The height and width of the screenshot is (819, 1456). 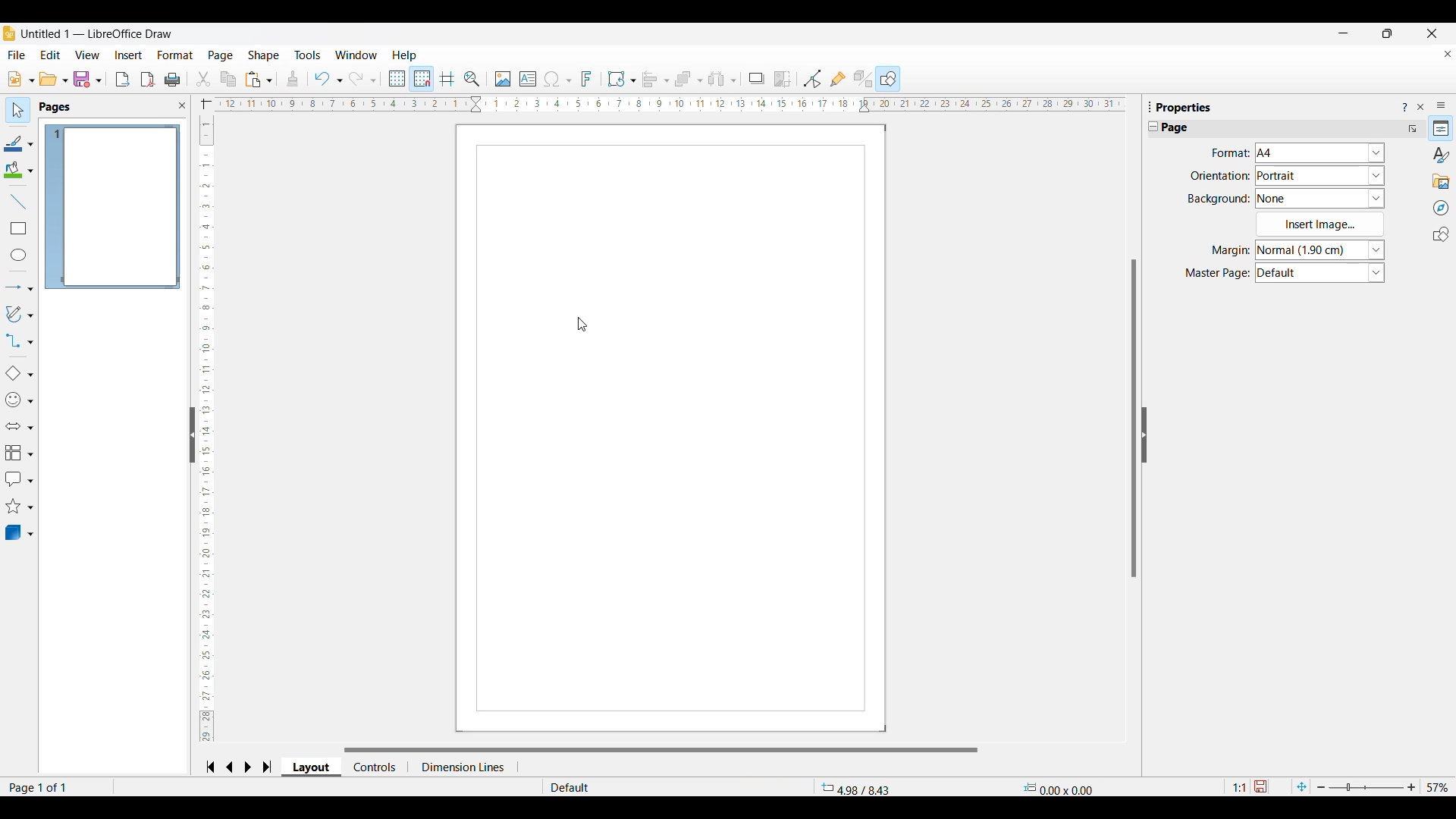 What do you see at coordinates (221, 56) in the screenshot?
I see `Page menu` at bounding box center [221, 56].